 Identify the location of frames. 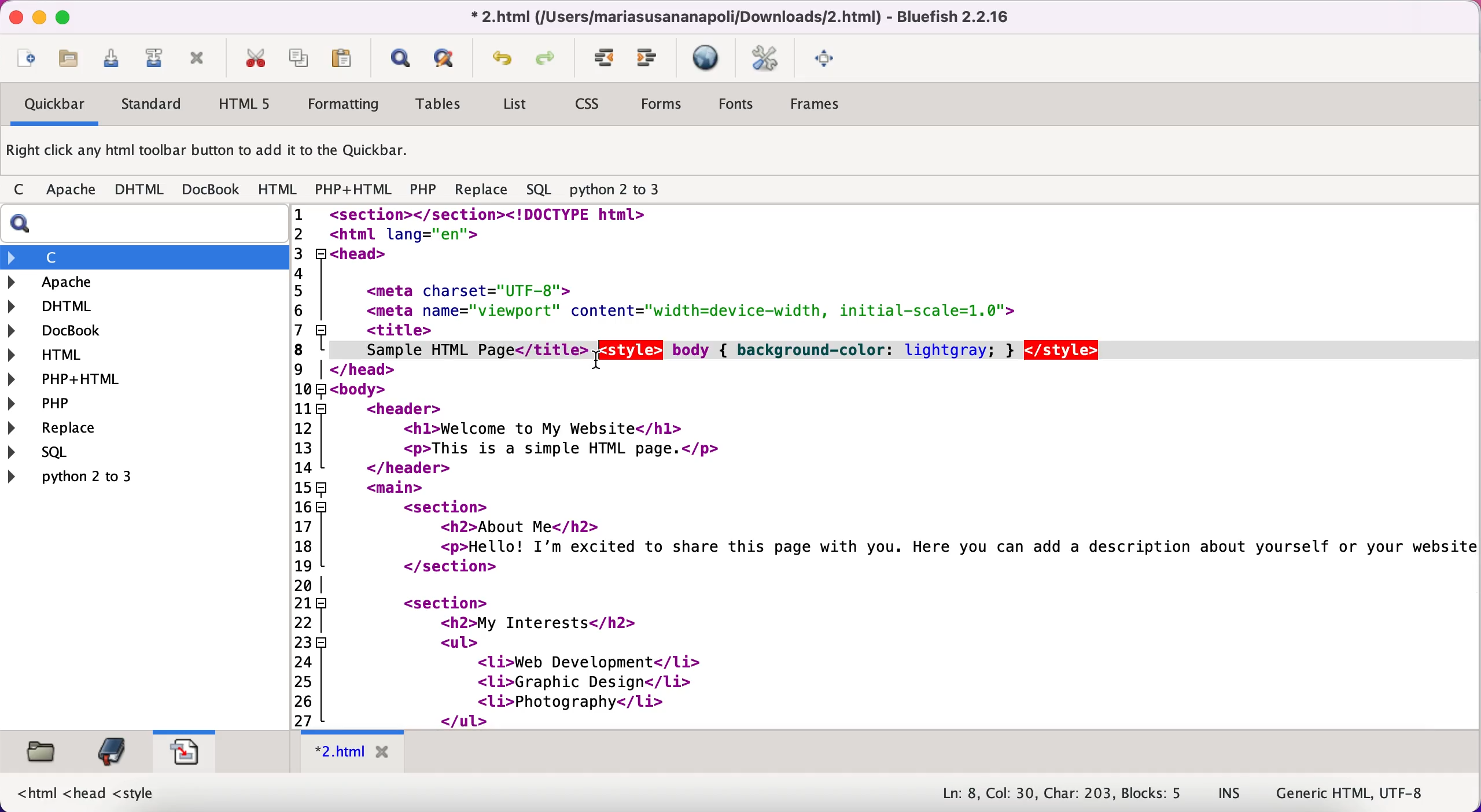
(818, 104).